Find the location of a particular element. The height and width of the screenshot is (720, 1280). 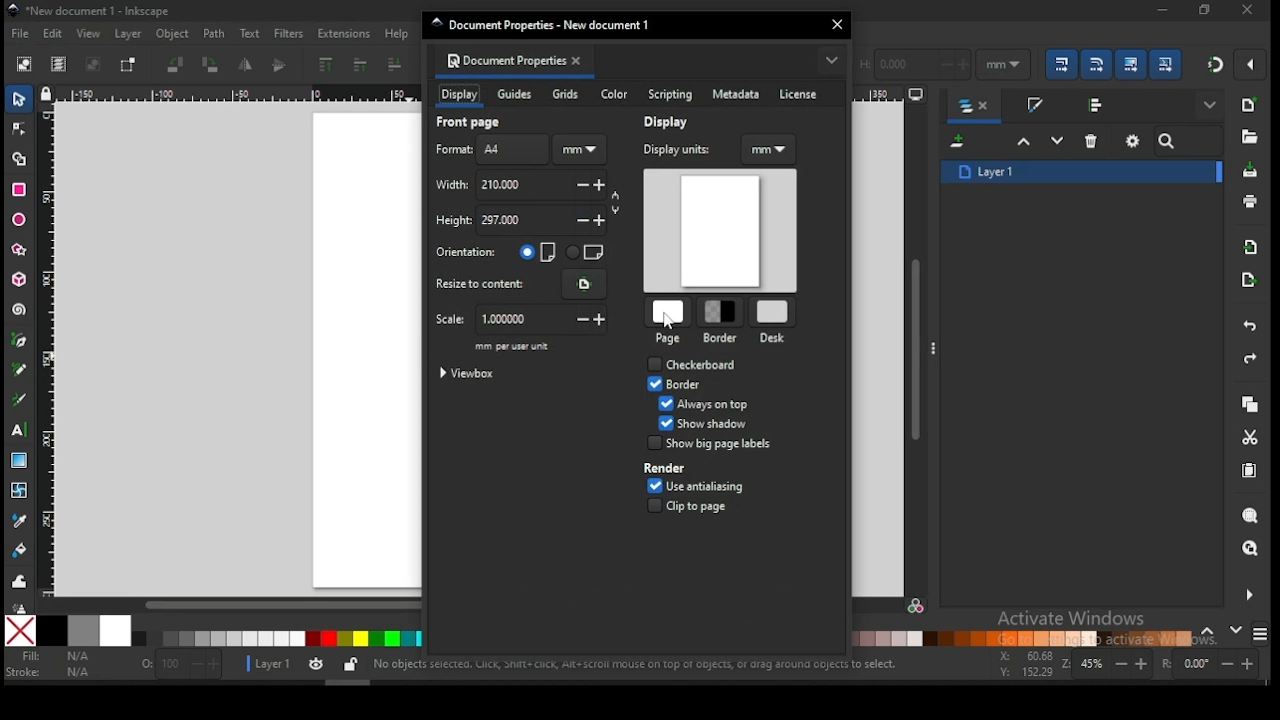

stroke and fill is located at coordinates (1034, 106).